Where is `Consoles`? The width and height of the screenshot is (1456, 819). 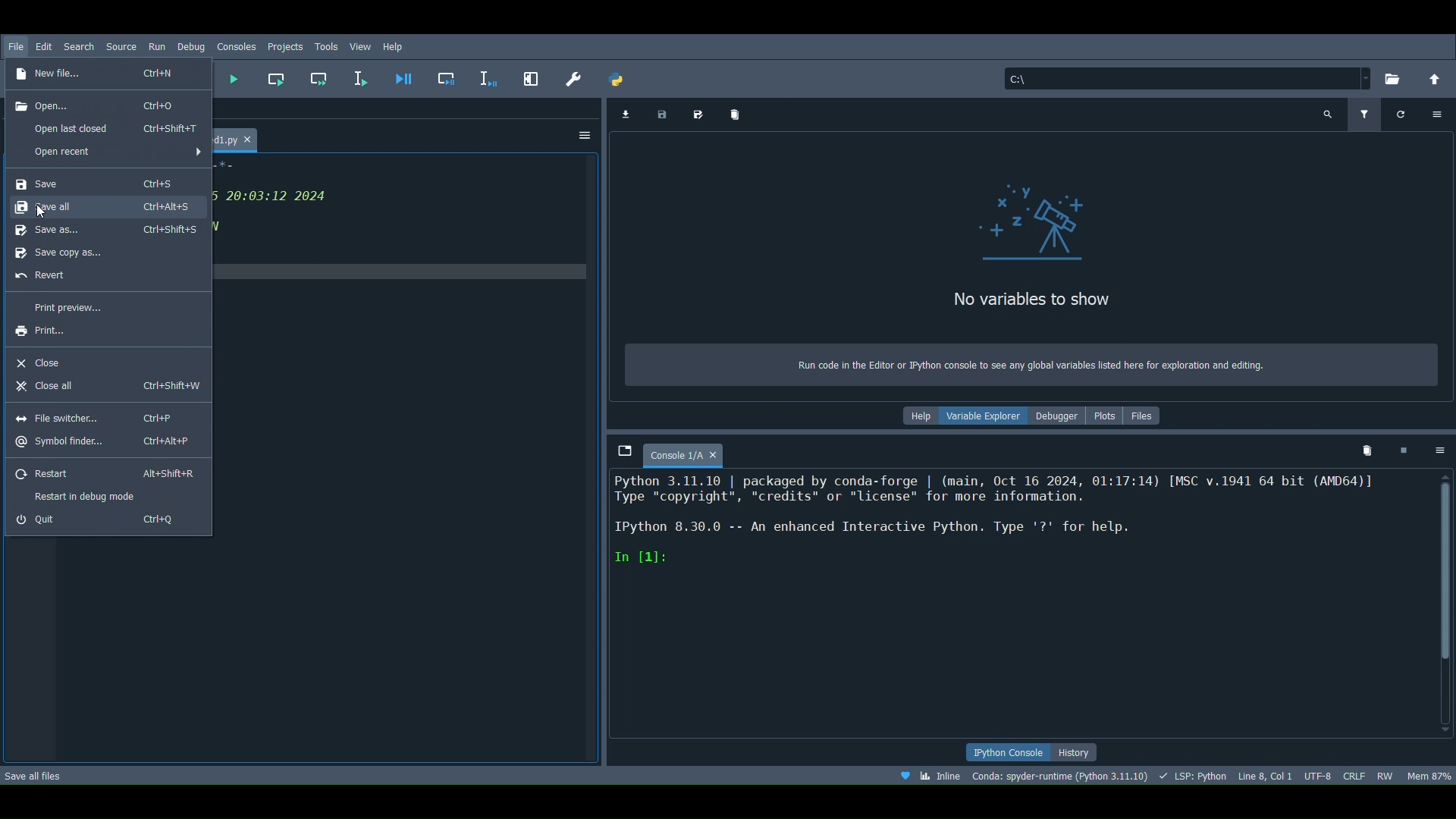
Consoles is located at coordinates (237, 47).